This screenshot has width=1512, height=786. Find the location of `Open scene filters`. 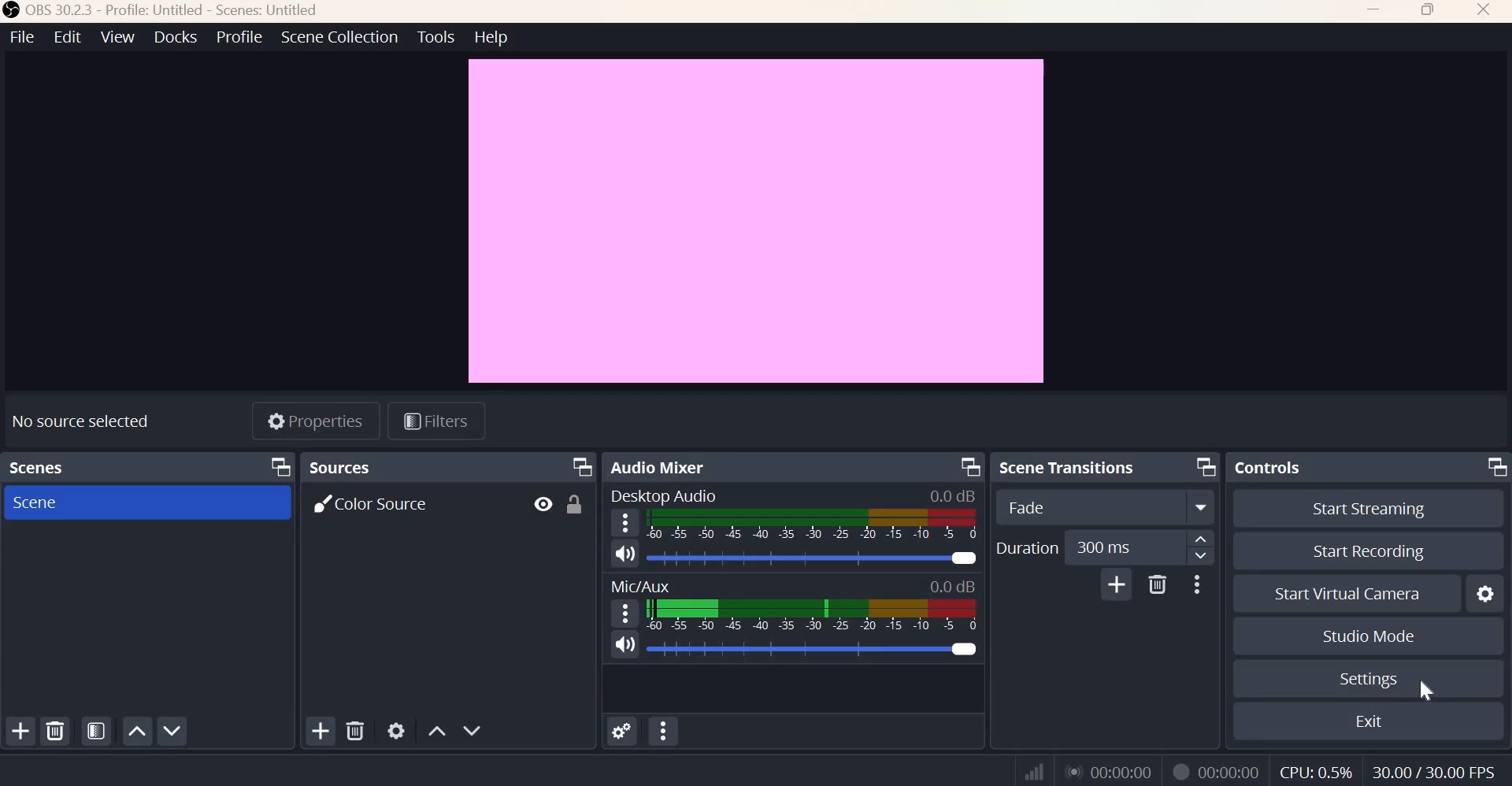

Open scene filters is located at coordinates (96, 730).